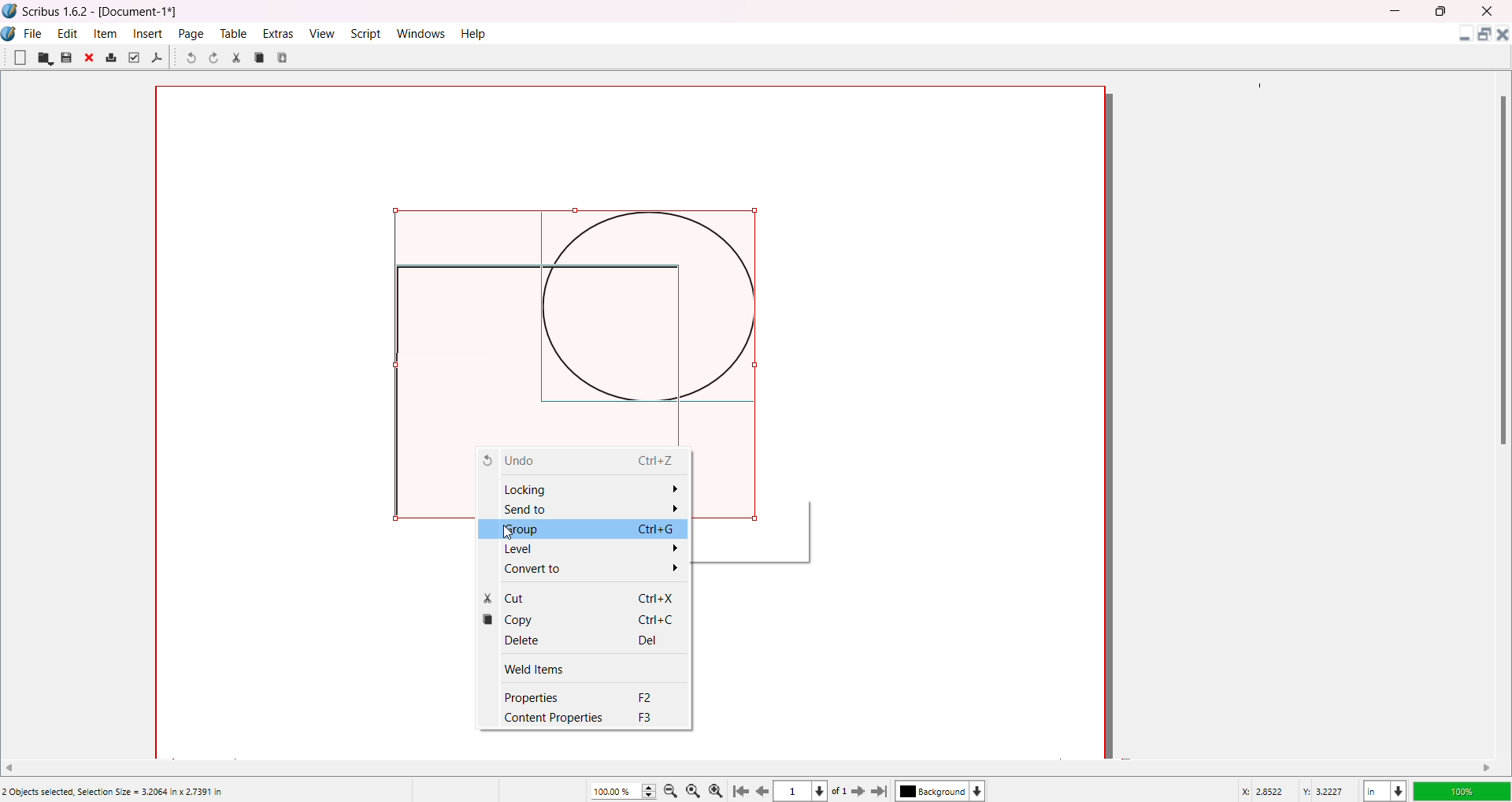 This screenshot has height=802, width=1512. What do you see at coordinates (743, 789) in the screenshot?
I see `First Page` at bounding box center [743, 789].